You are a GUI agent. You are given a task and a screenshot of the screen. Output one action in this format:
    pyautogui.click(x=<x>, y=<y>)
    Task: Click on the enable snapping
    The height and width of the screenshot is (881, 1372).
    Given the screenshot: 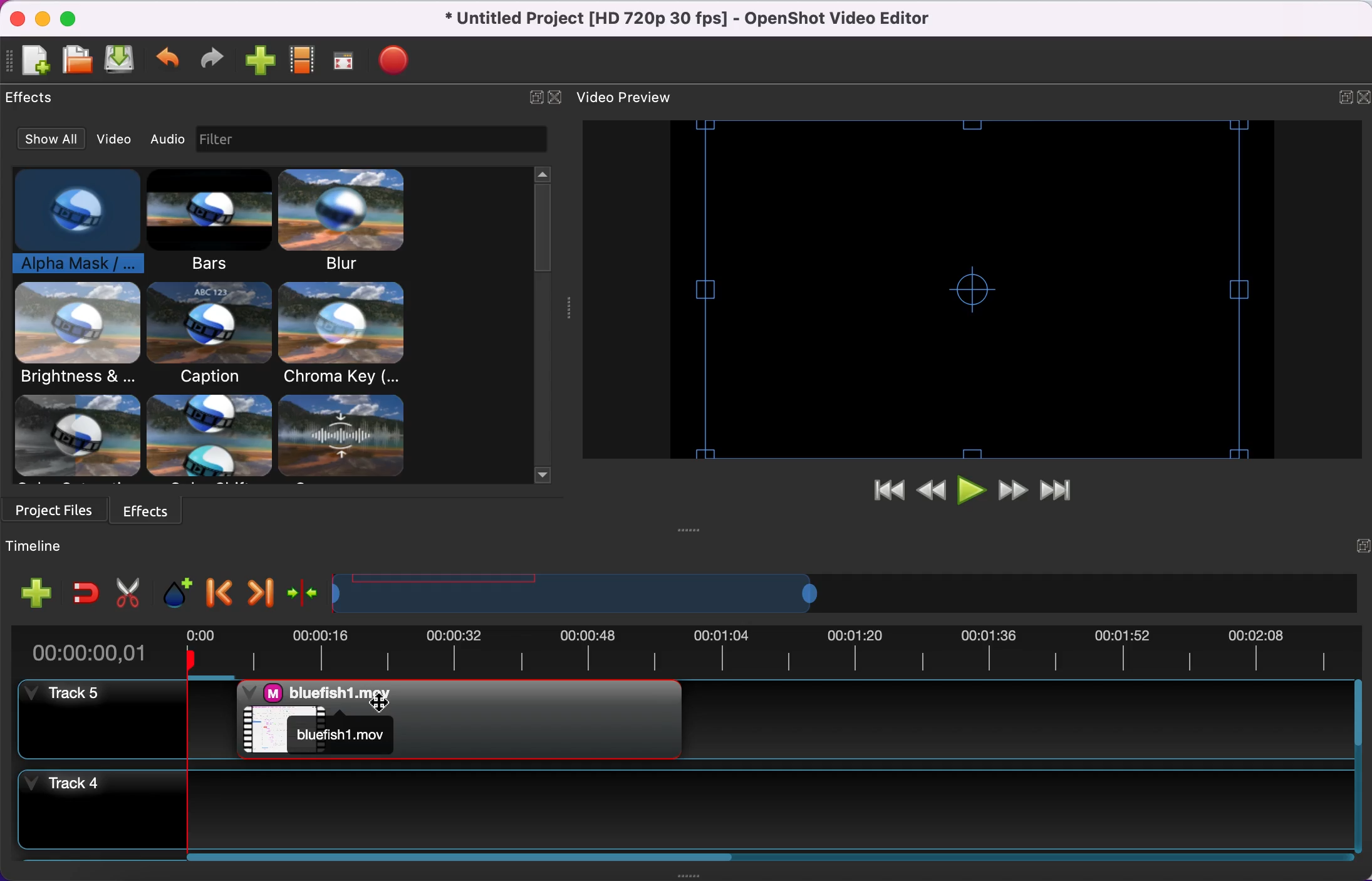 What is the action you would take?
    pyautogui.click(x=83, y=594)
    